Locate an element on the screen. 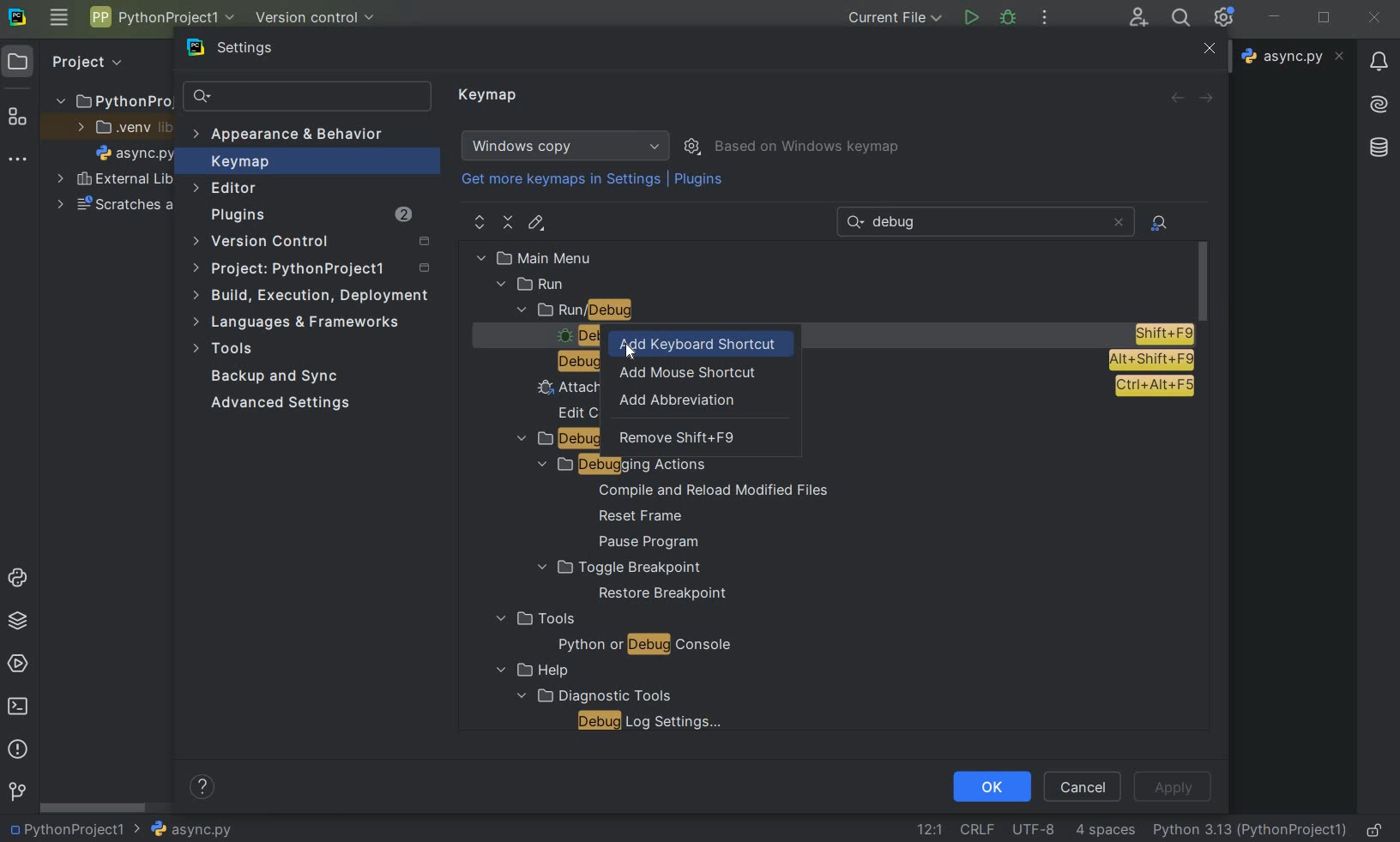 This screenshot has width=1400, height=842. AIt+Shift+F9 is located at coordinates (1151, 360).